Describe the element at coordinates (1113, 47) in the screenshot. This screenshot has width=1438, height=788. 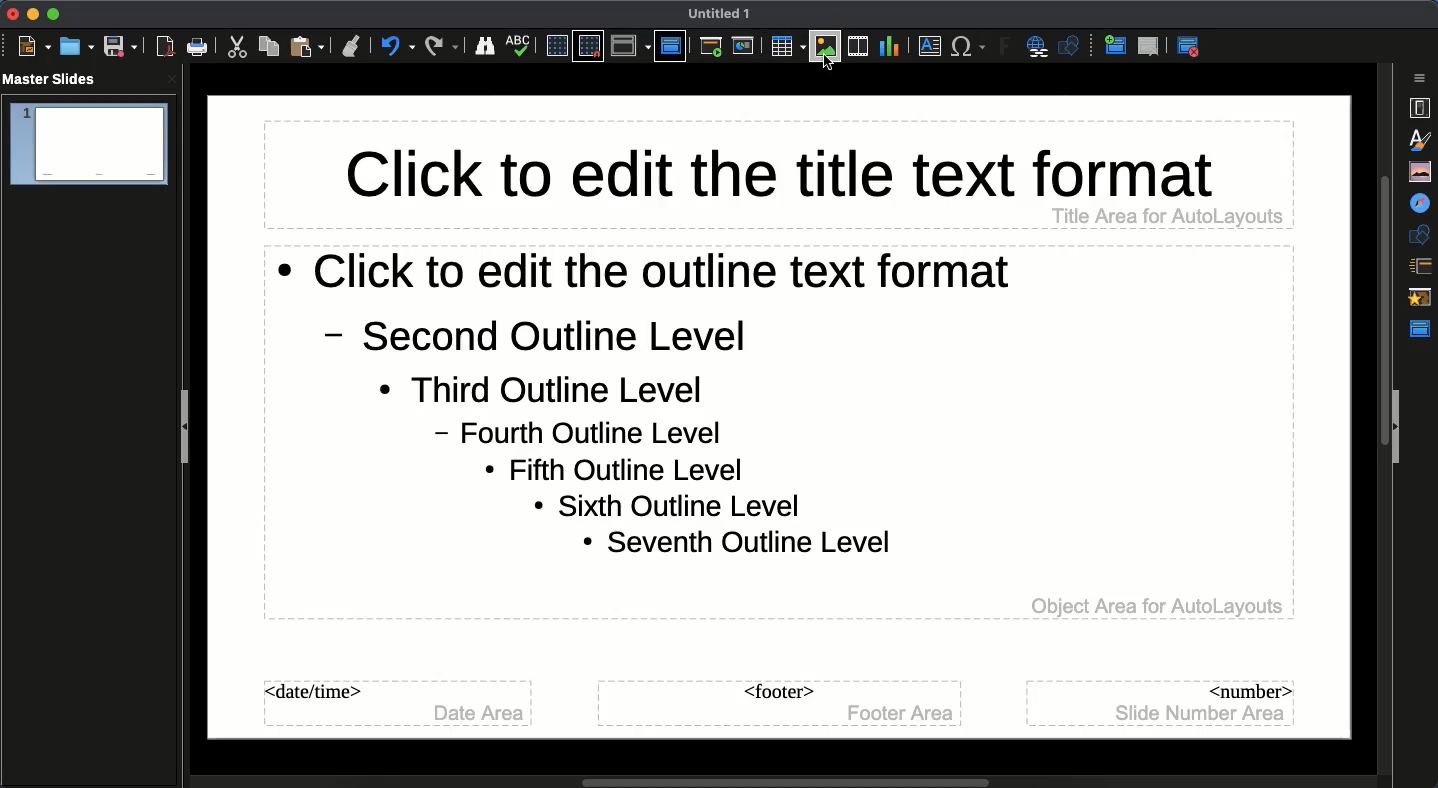
I see `New master` at that location.